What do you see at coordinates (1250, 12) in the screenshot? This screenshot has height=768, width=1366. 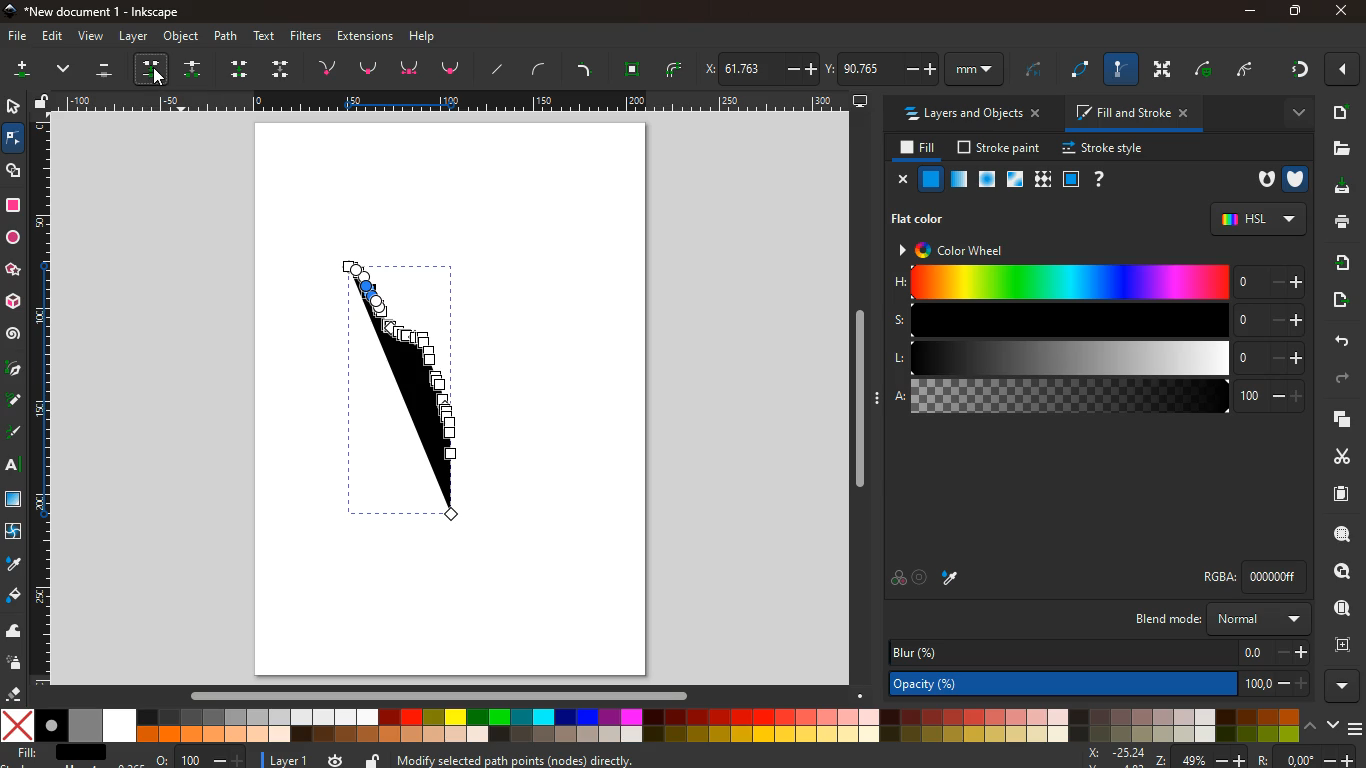 I see `minimize` at bounding box center [1250, 12].